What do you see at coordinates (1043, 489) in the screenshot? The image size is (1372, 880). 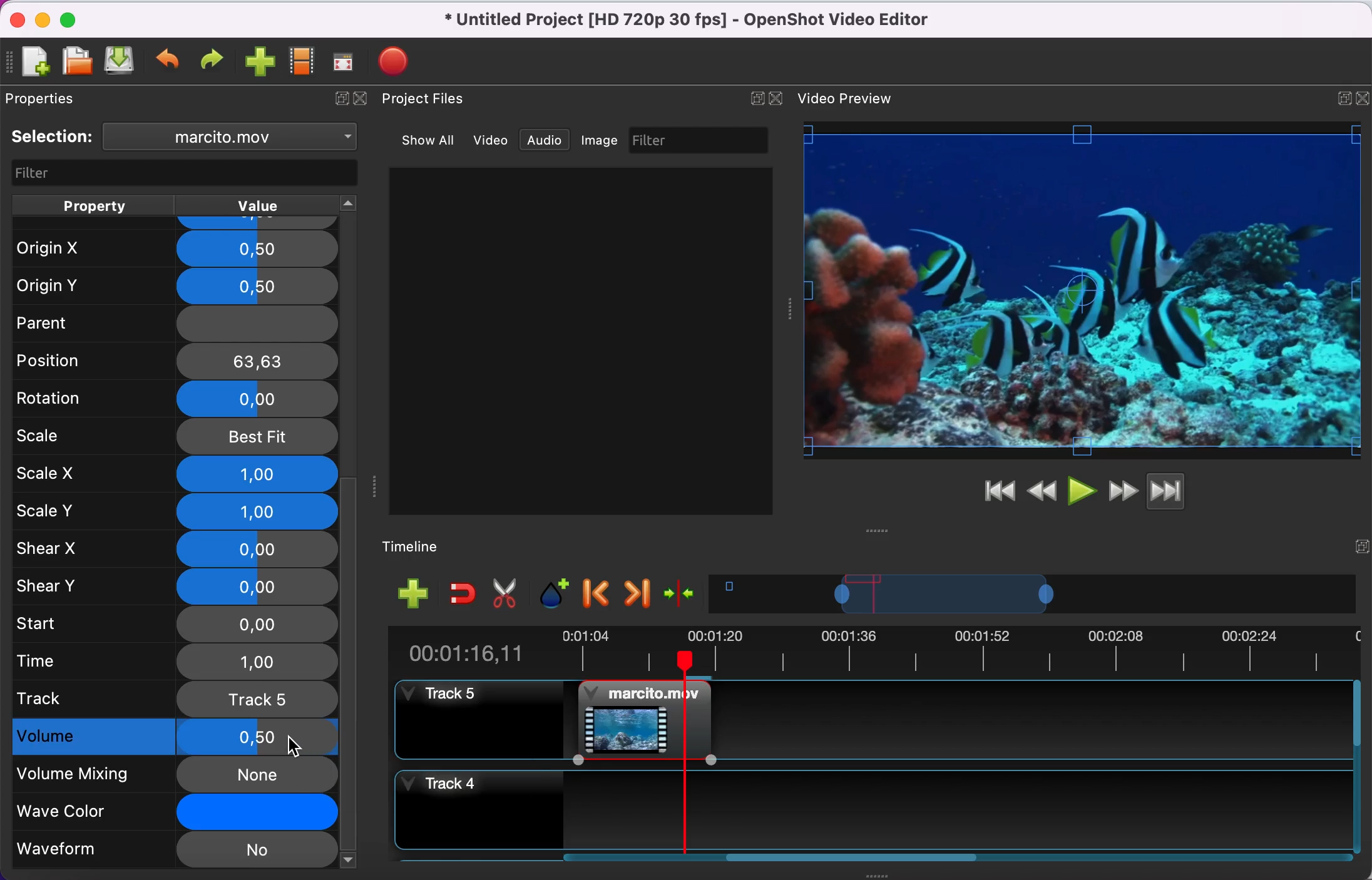 I see `rewind` at bounding box center [1043, 489].